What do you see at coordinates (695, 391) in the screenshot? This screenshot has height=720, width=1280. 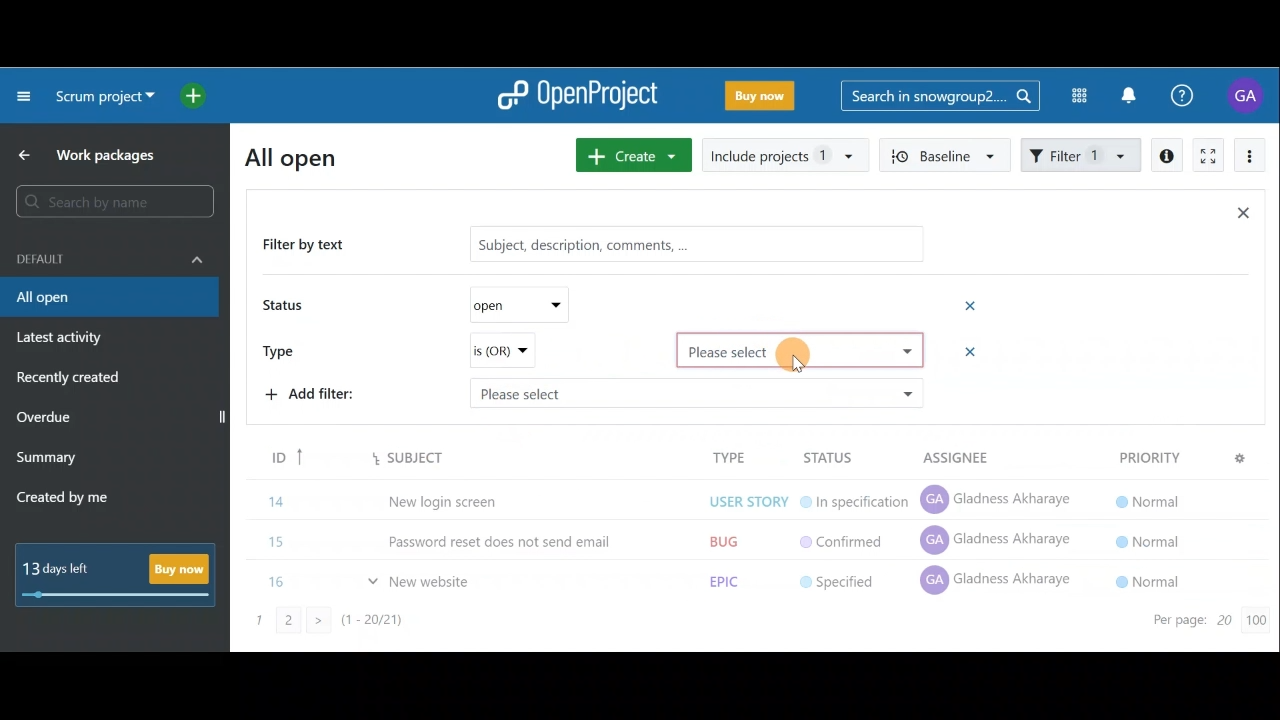 I see `Please select` at bounding box center [695, 391].